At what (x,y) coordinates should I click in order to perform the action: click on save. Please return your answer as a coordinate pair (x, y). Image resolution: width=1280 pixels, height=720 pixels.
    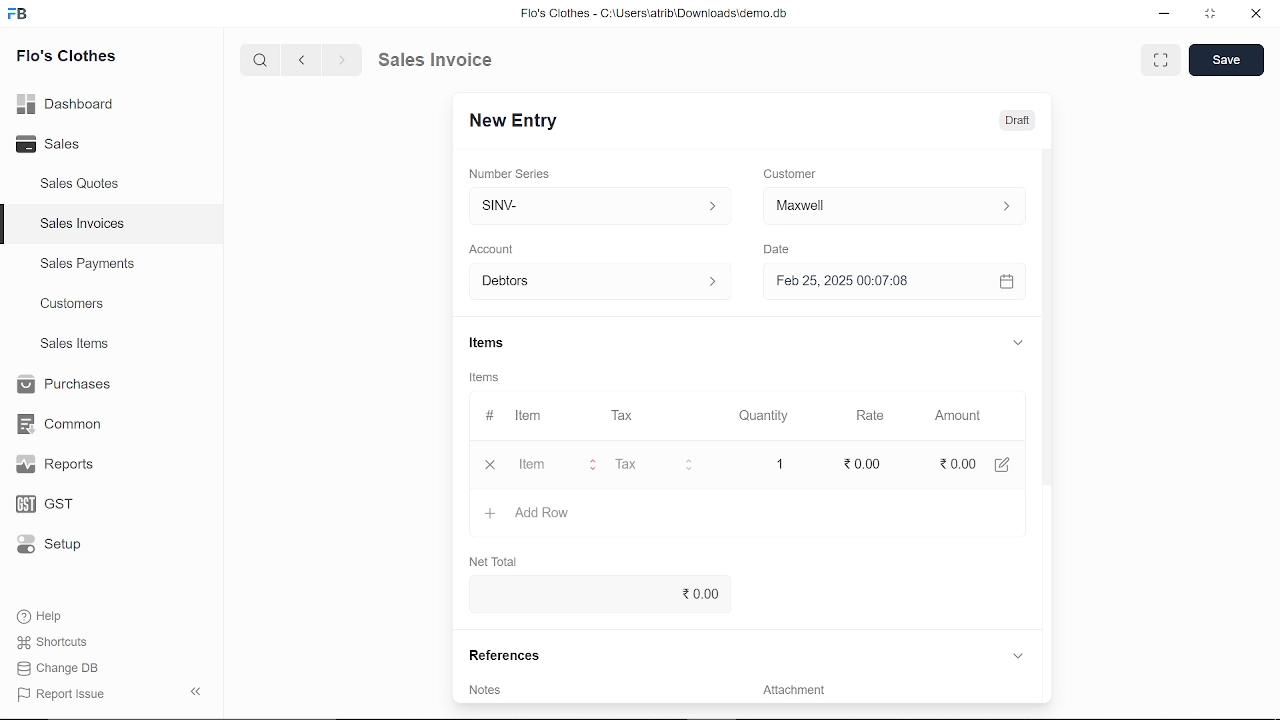
    Looking at the image, I should click on (1227, 60).